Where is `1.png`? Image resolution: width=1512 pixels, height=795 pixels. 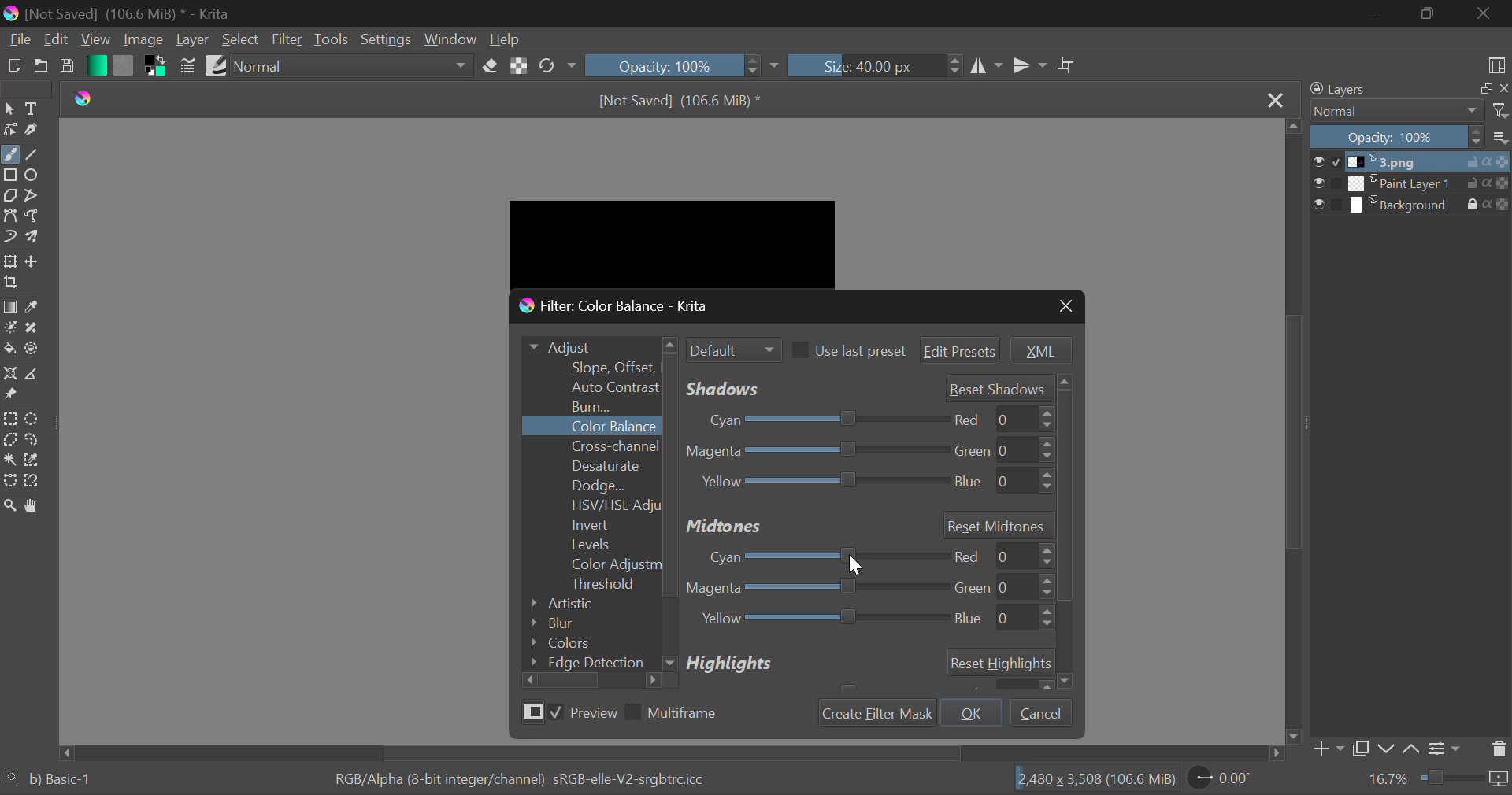 1.png is located at coordinates (1411, 162).